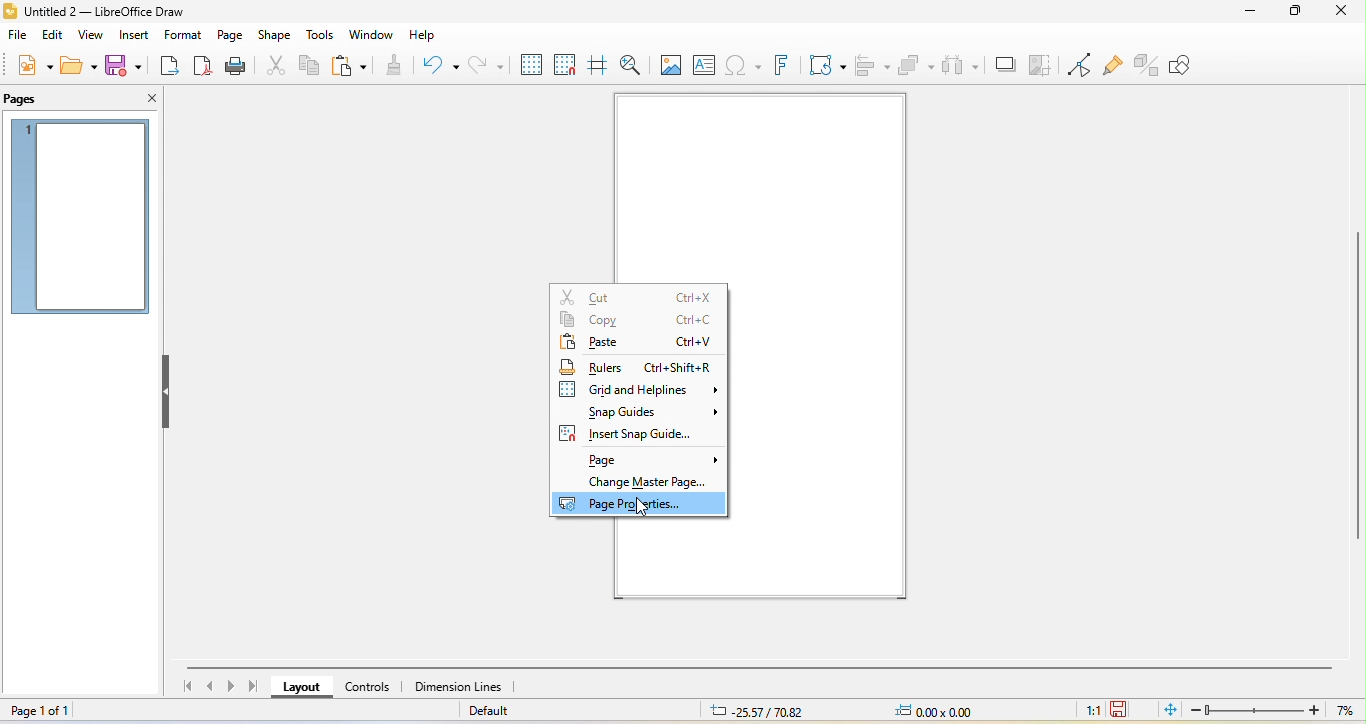  Describe the element at coordinates (1008, 66) in the screenshot. I see `shadow` at that location.